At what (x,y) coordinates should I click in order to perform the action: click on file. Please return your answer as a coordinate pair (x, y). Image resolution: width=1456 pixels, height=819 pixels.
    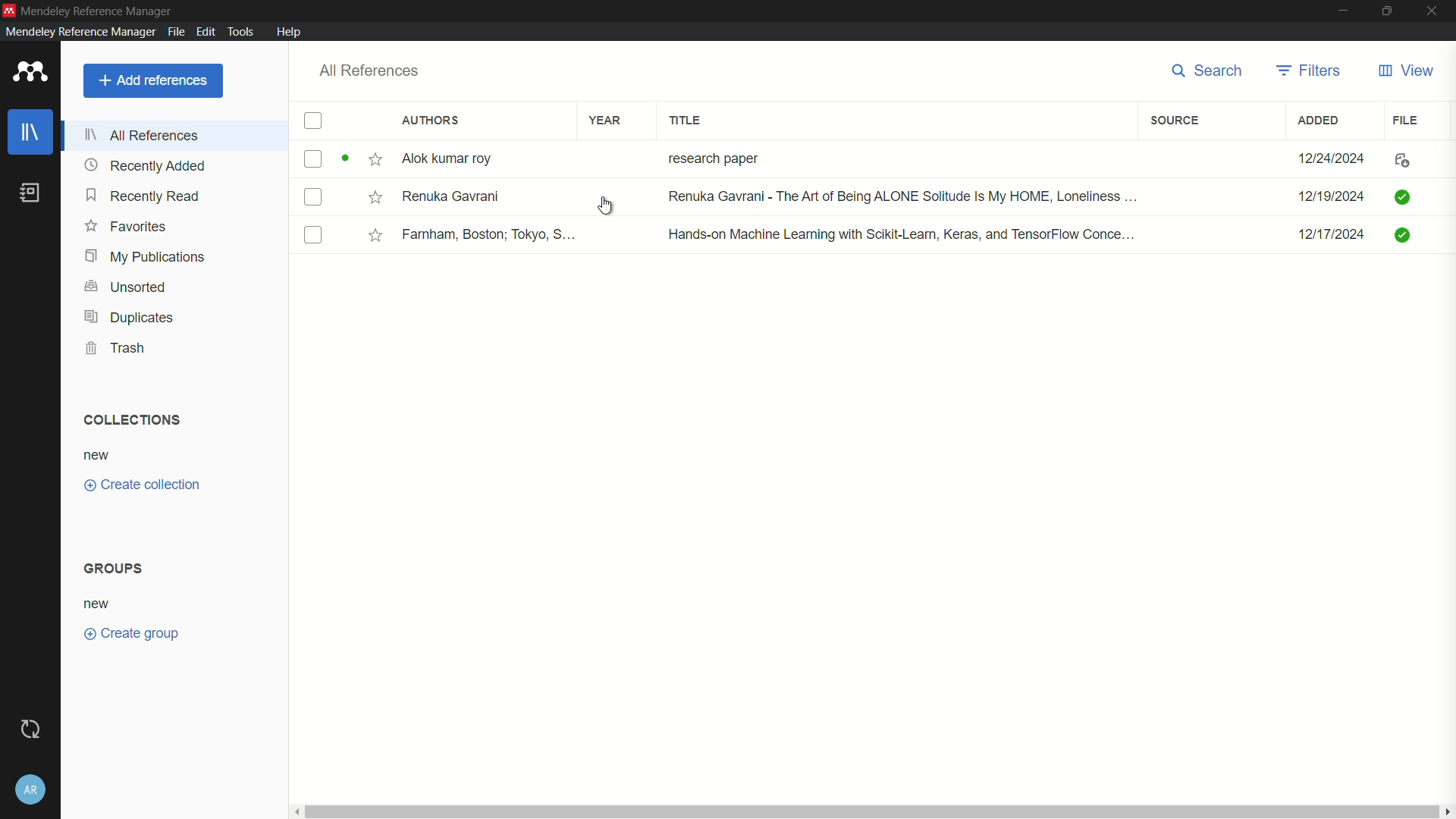
    Looking at the image, I should click on (1399, 160).